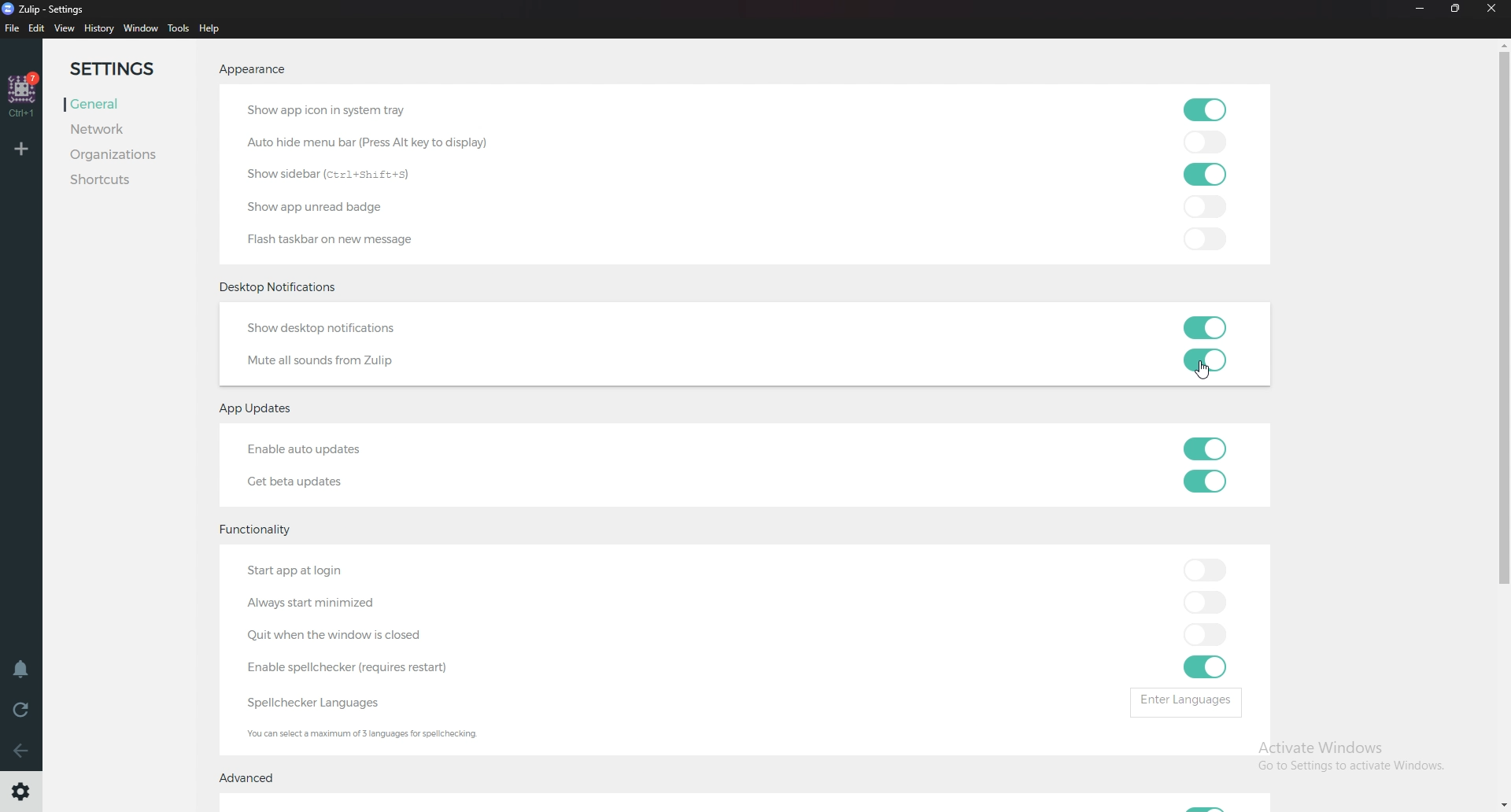  I want to click on Shortcuts, so click(112, 180).